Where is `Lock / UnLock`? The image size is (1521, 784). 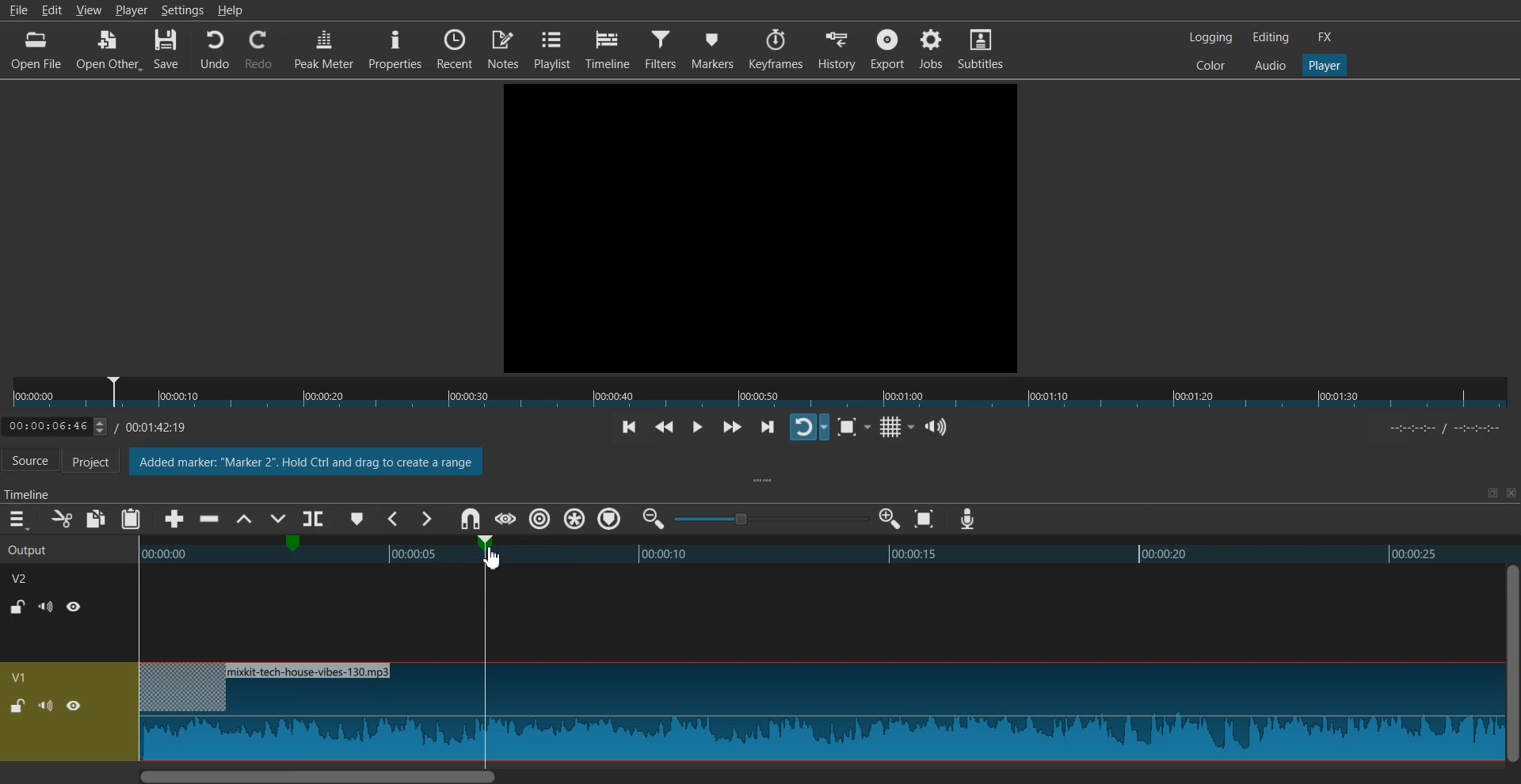 Lock / UnLock is located at coordinates (17, 706).